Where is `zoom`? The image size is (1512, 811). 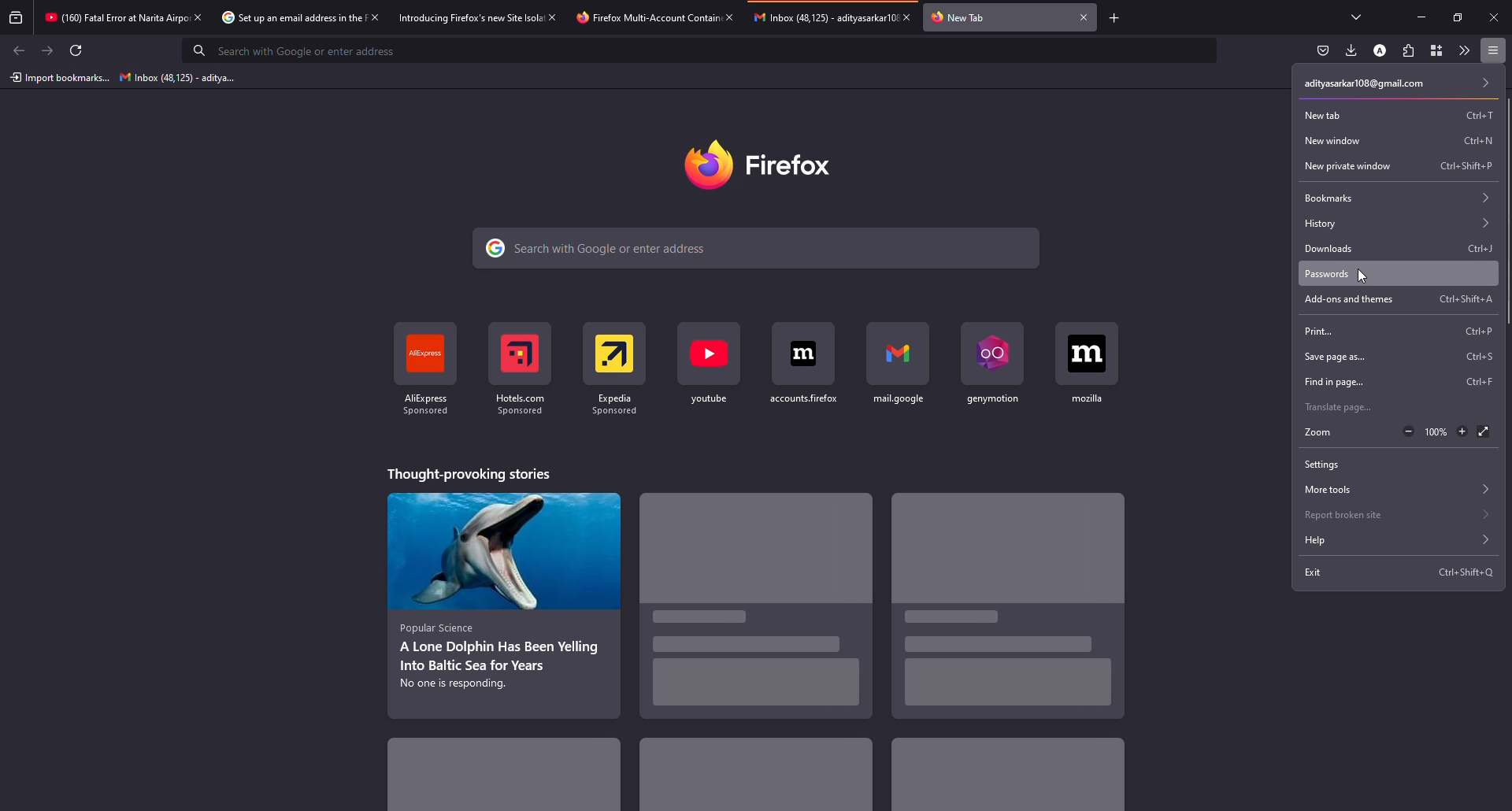
zoom is located at coordinates (1318, 433).